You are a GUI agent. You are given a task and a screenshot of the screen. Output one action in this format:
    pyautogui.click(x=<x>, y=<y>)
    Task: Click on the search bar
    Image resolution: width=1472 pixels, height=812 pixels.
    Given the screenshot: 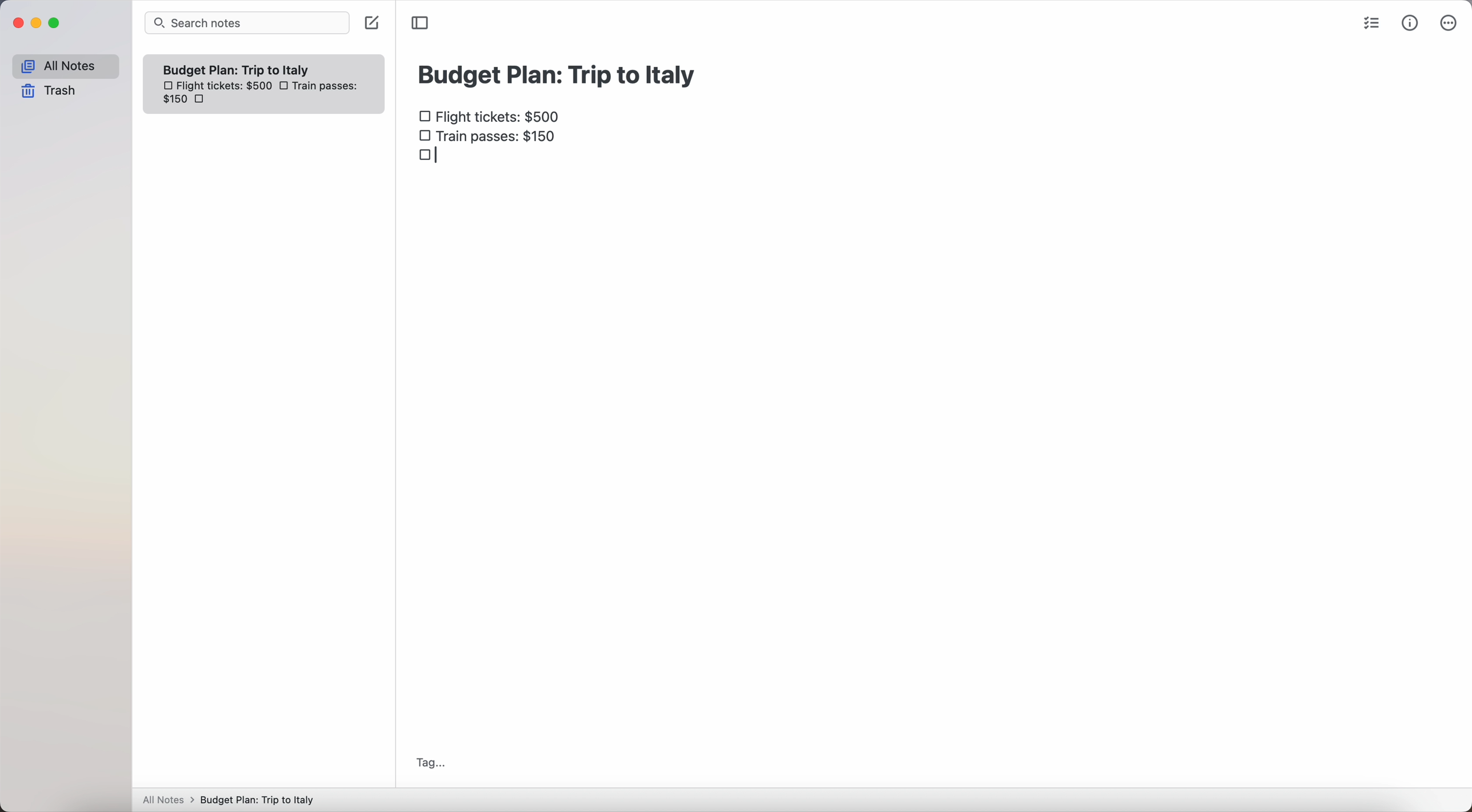 What is the action you would take?
    pyautogui.click(x=247, y=23)
    